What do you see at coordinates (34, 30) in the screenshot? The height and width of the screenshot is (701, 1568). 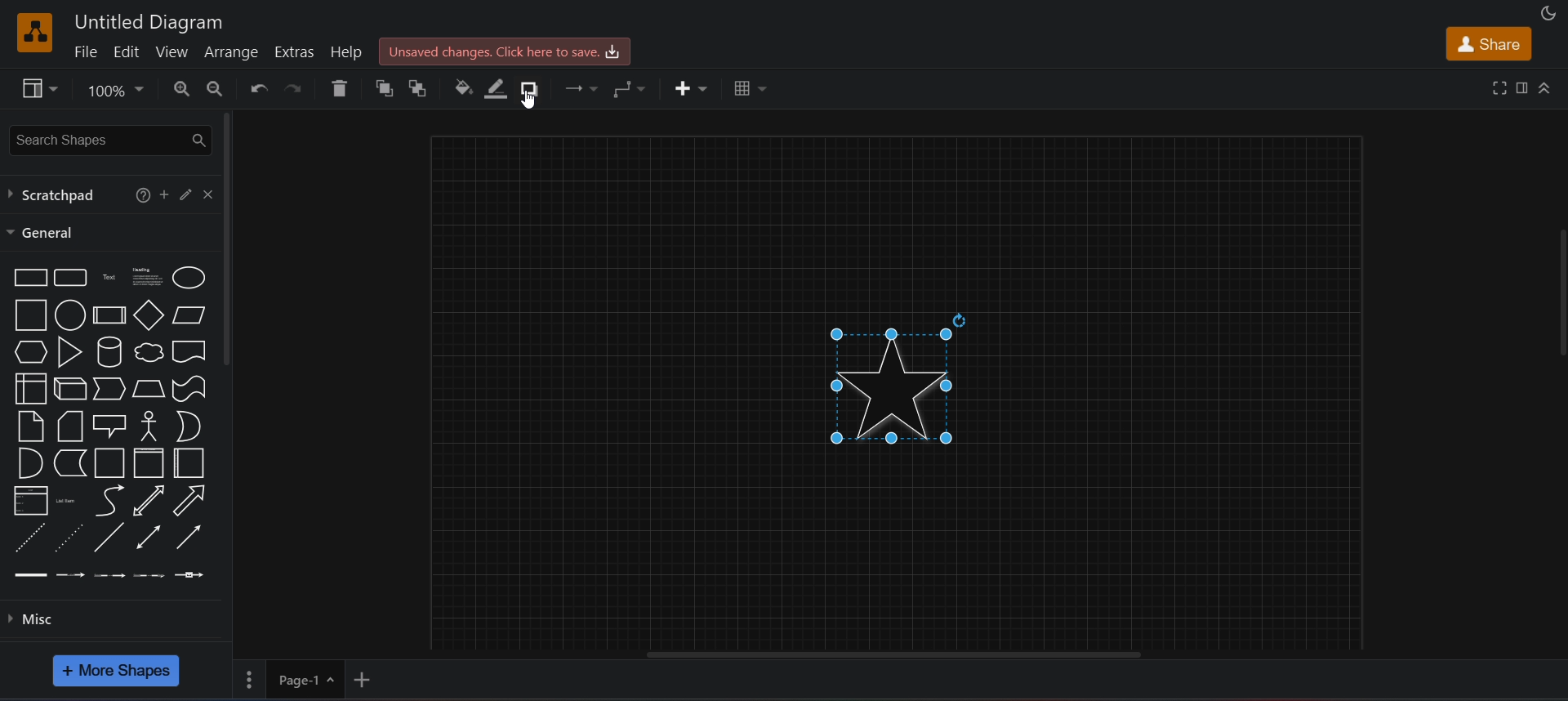 I see `logo` at bounding box center [34, 30].